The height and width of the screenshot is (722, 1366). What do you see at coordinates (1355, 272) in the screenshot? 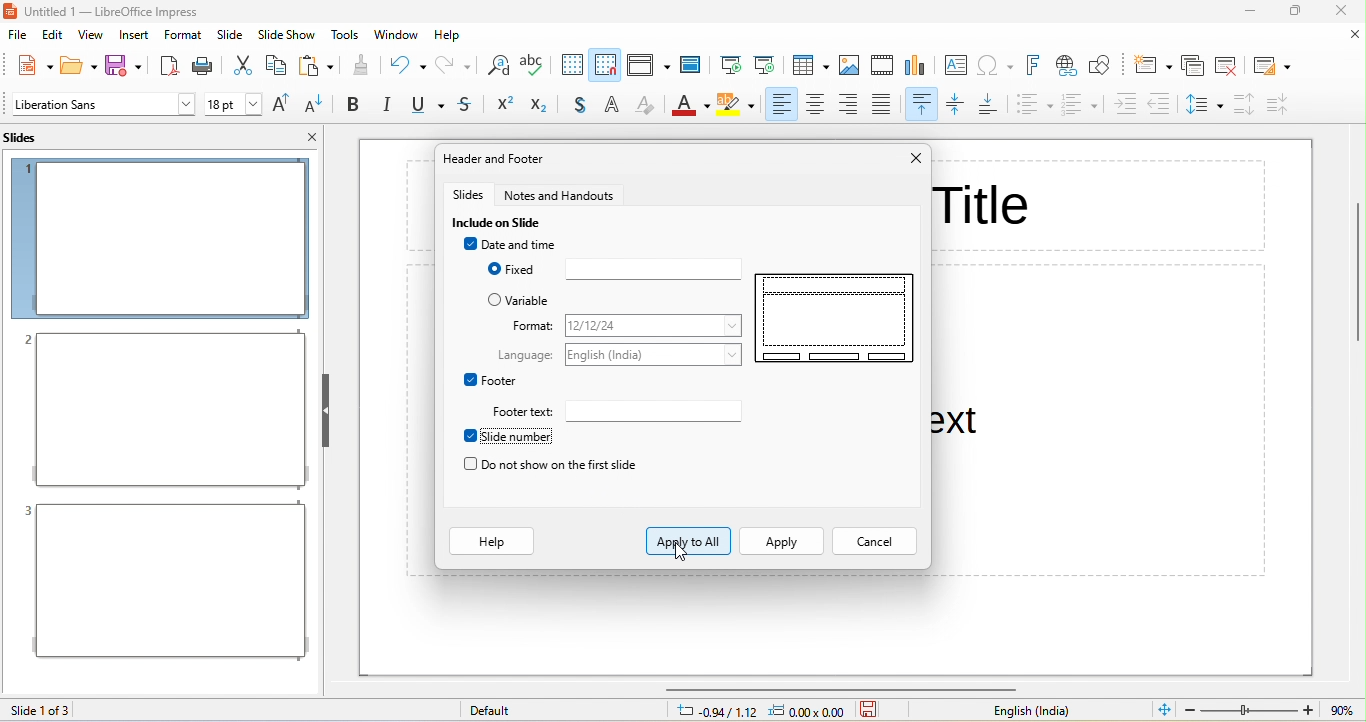
I see `vertical scroll bar` at bounding box center [1355, 272].